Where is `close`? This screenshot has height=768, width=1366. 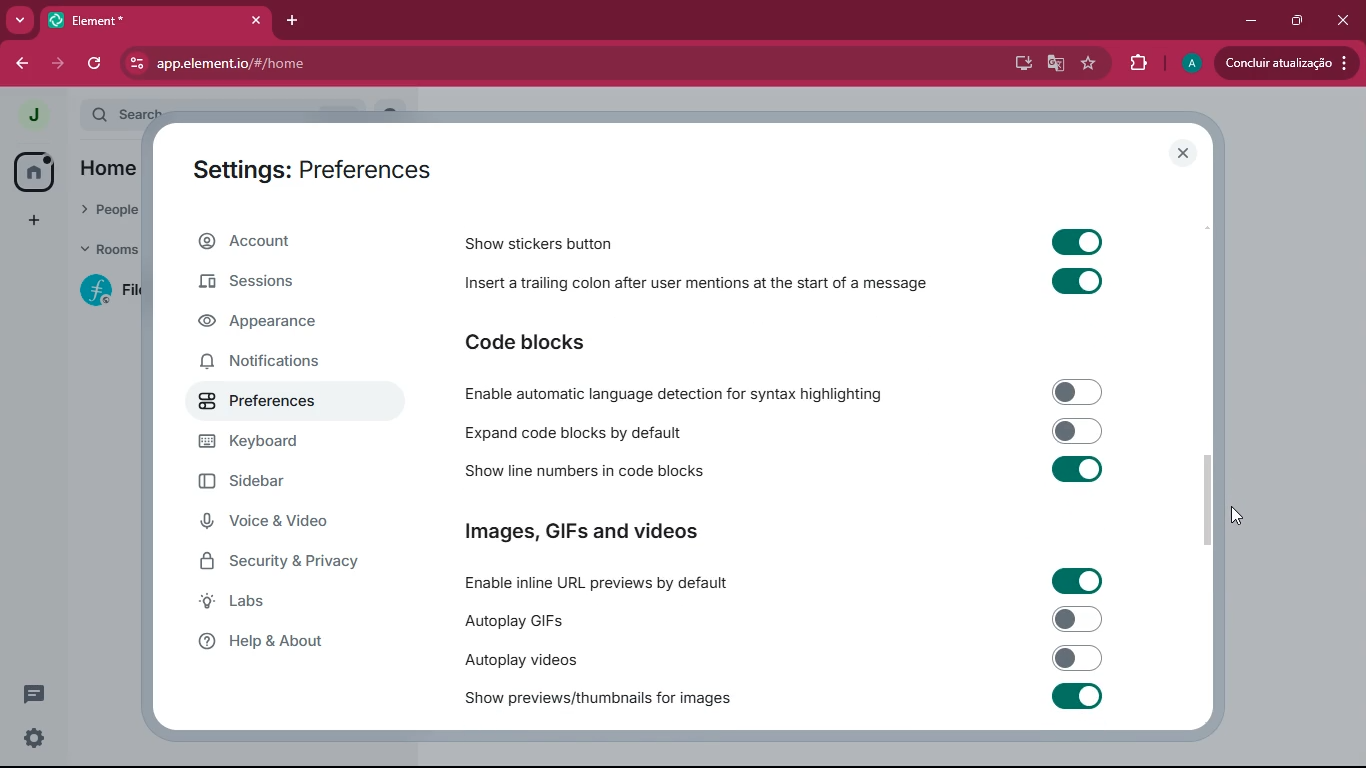 close is located at coordinates (1345, 18).